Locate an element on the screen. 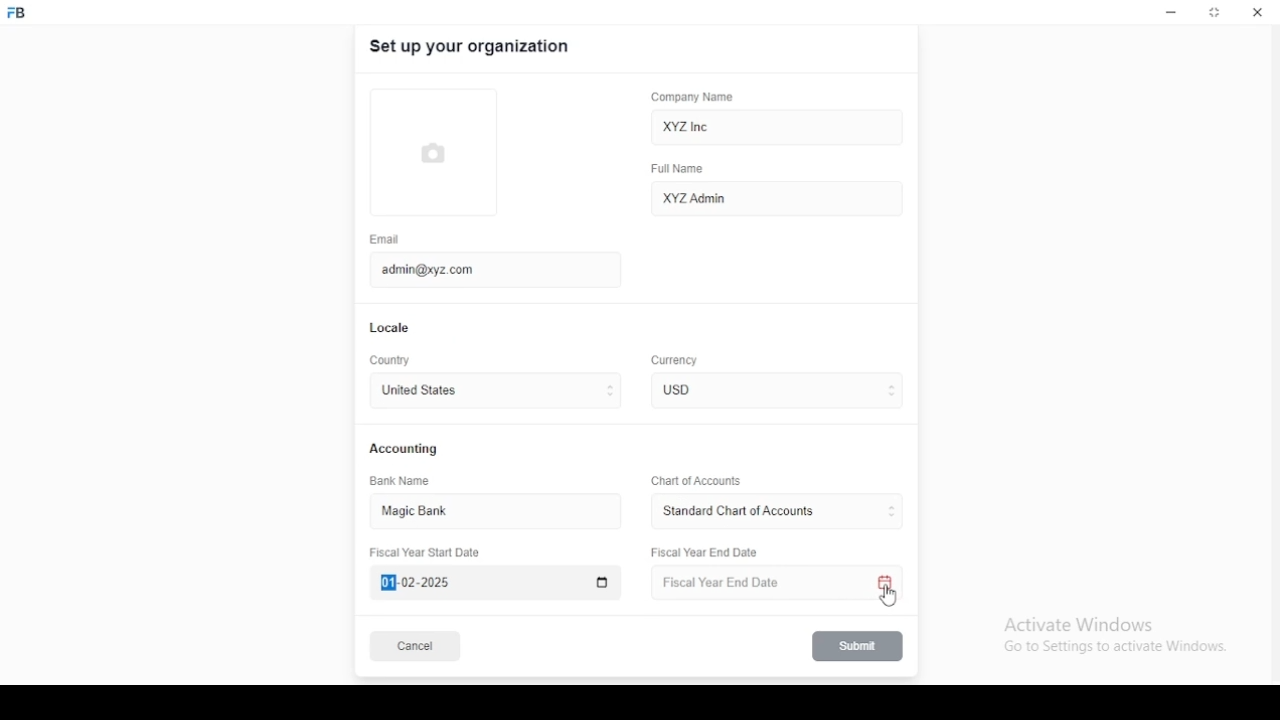 Image resolution: width=1280 pixels, height=720 pixels. currency is located at coordinates (689, 390).